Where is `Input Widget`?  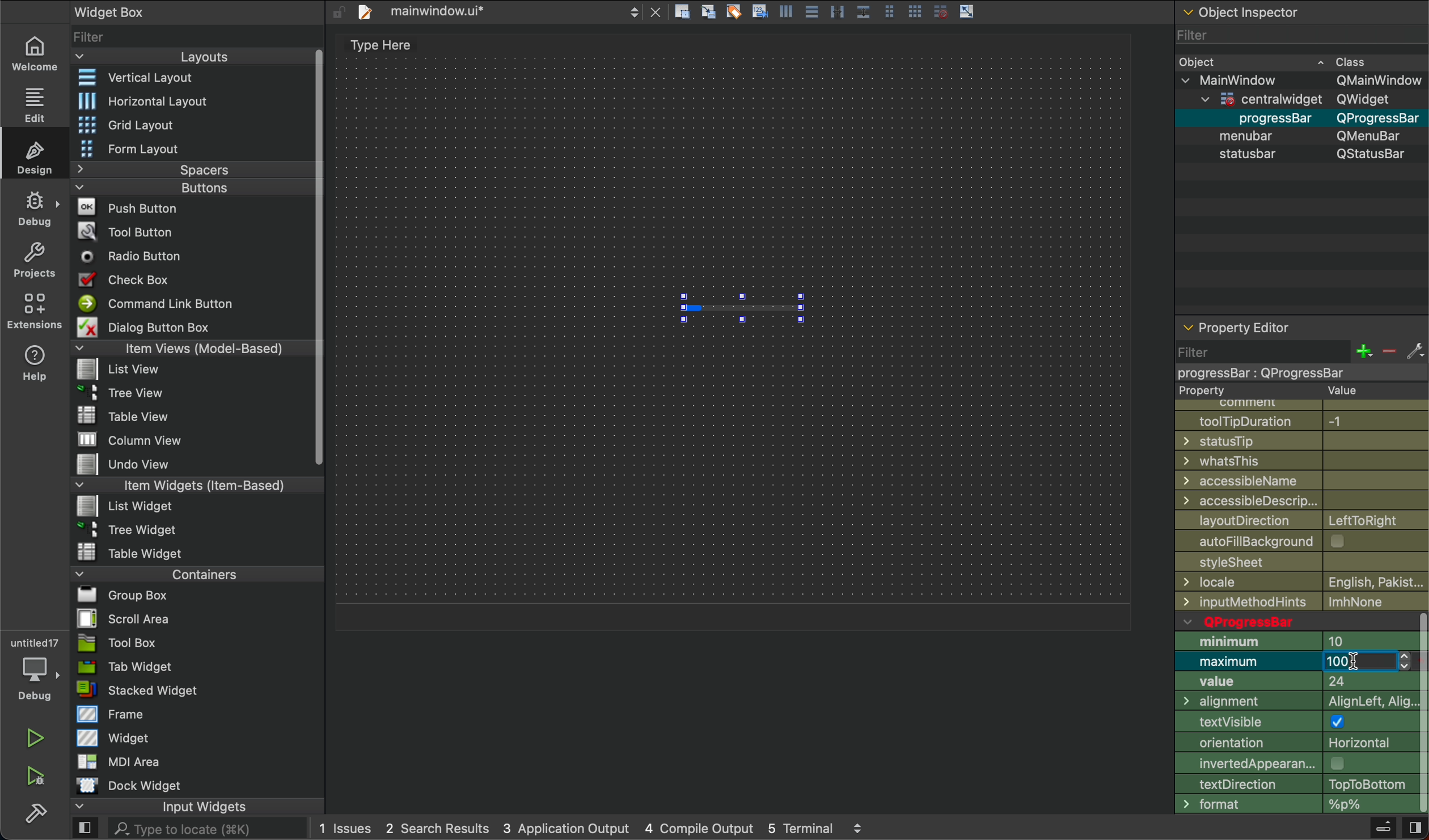
Input Widget is located at coordinates (159, 807).